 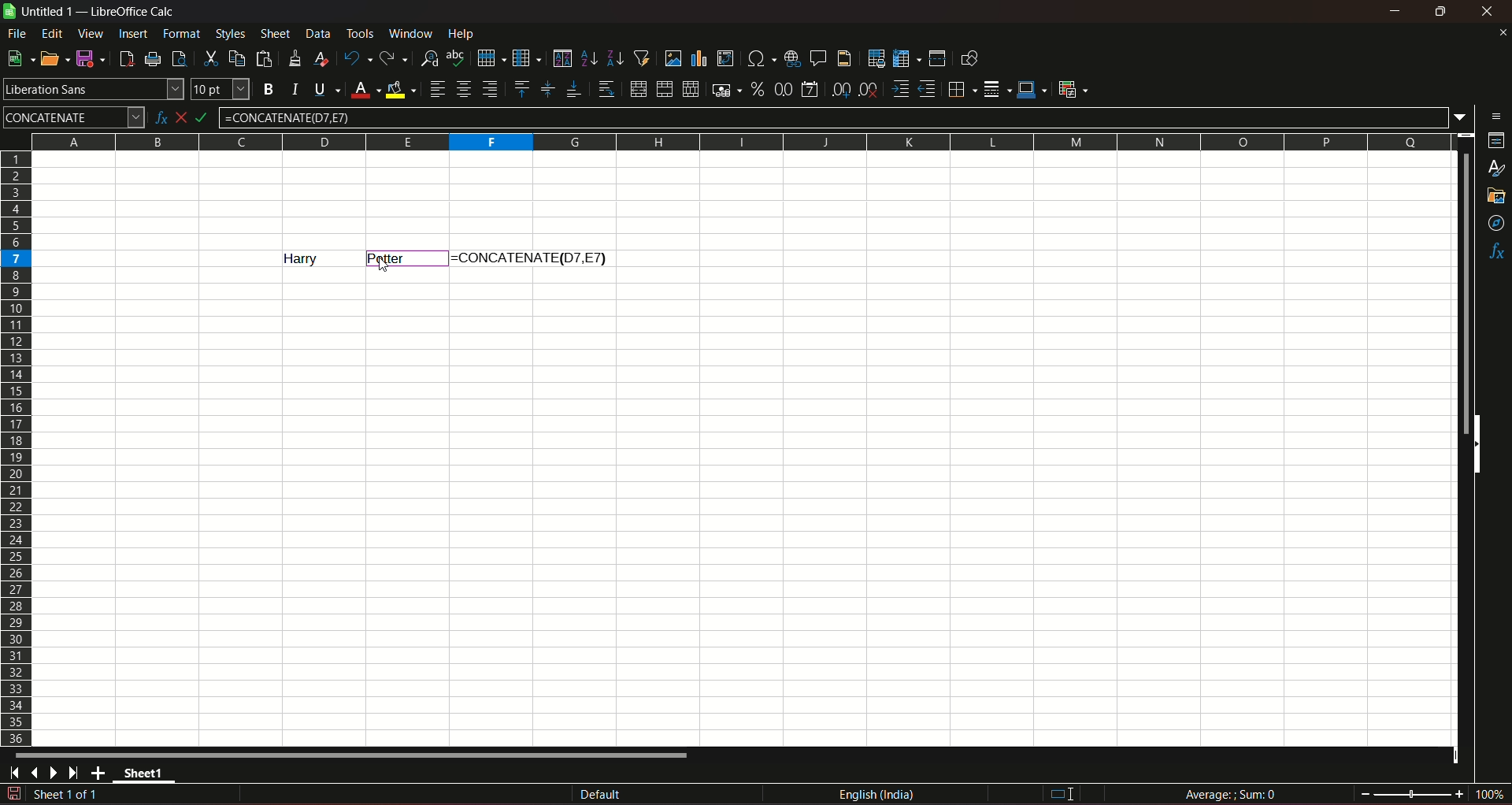 What do you see at coordinates (18, 58) in the screenshot?
I see `new` at bounding box center [18, 58].